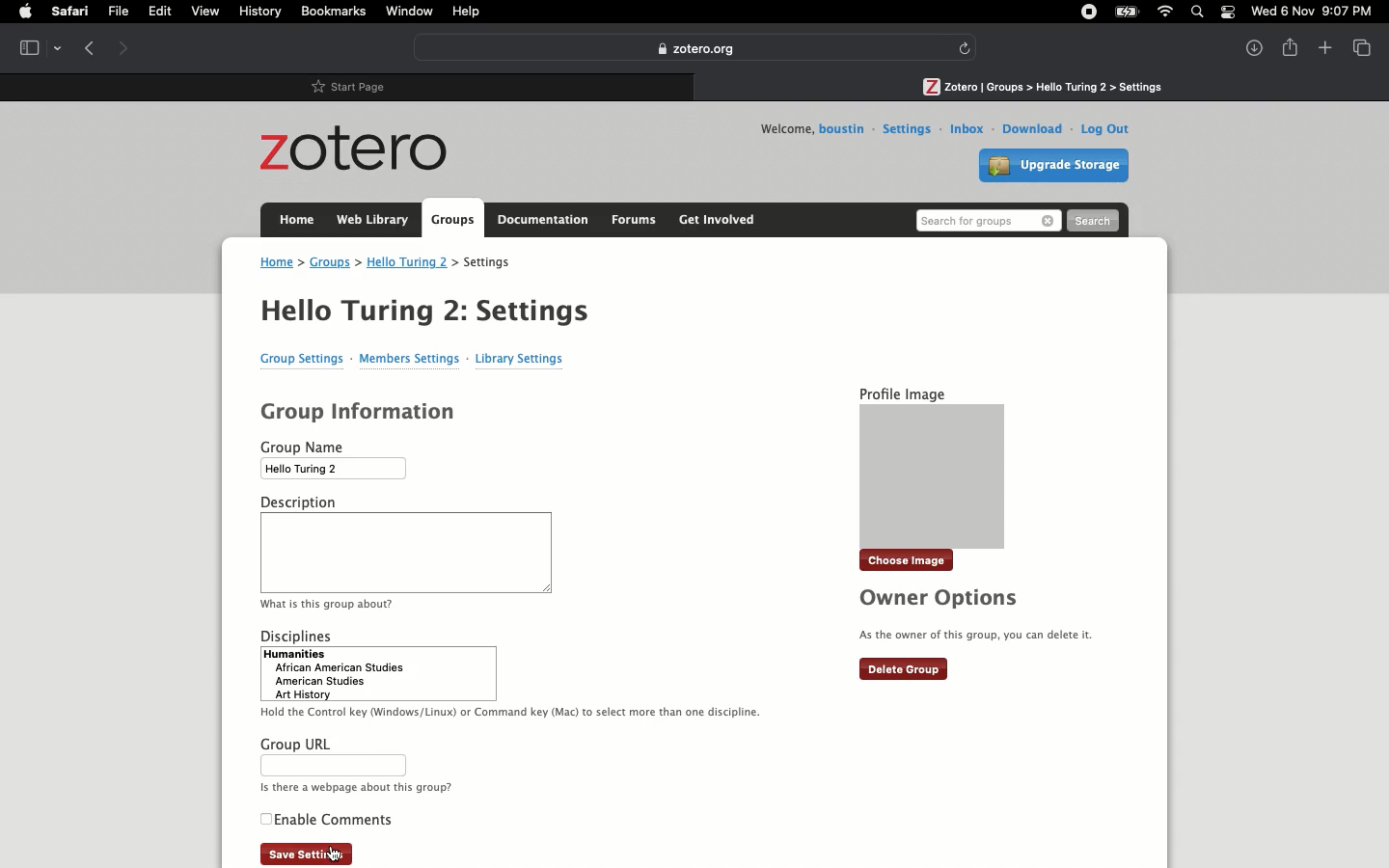  I want to click on Library settings, so click(520, 360).